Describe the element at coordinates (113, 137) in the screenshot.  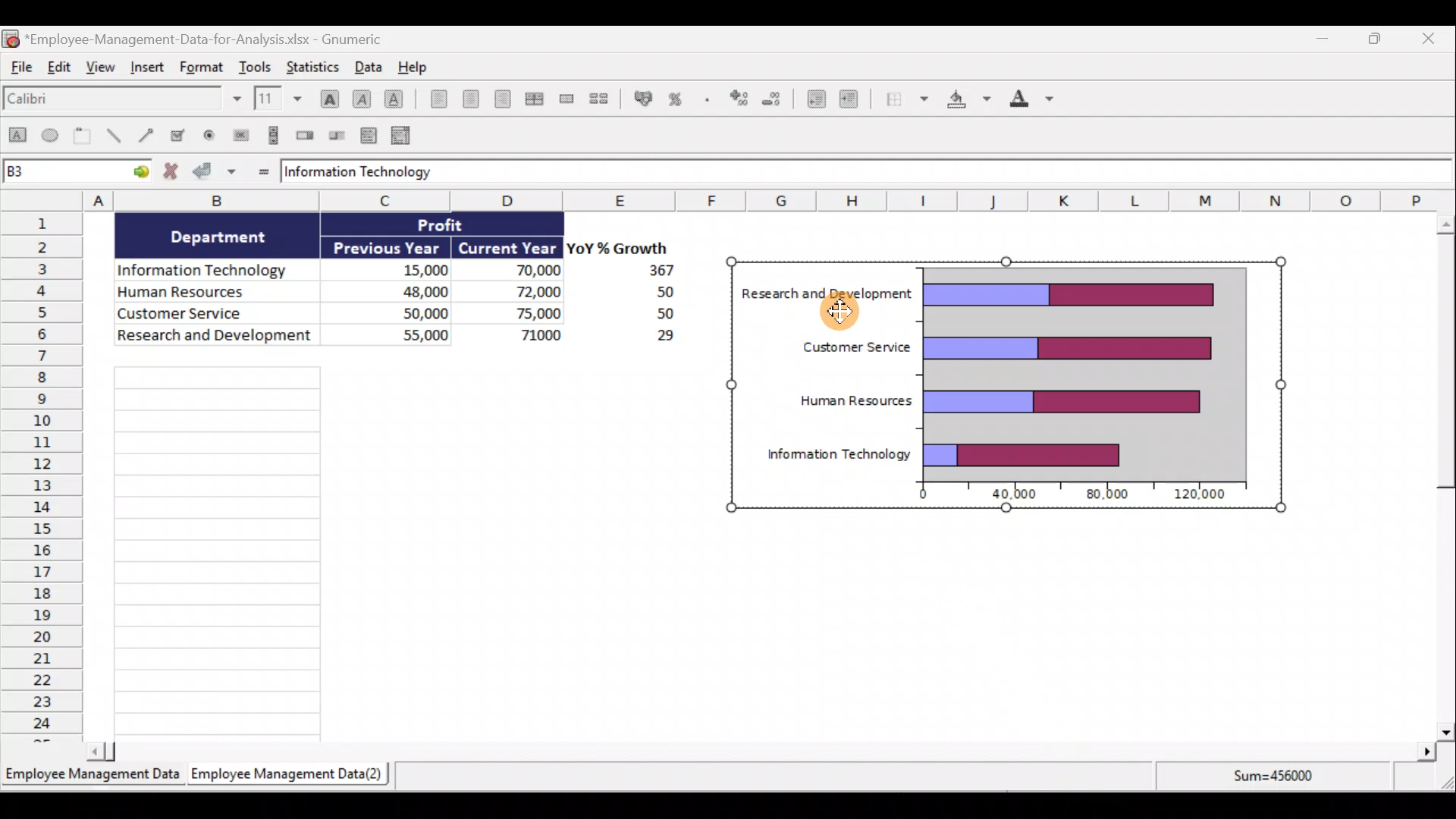
I see `Create a line object` at that location.